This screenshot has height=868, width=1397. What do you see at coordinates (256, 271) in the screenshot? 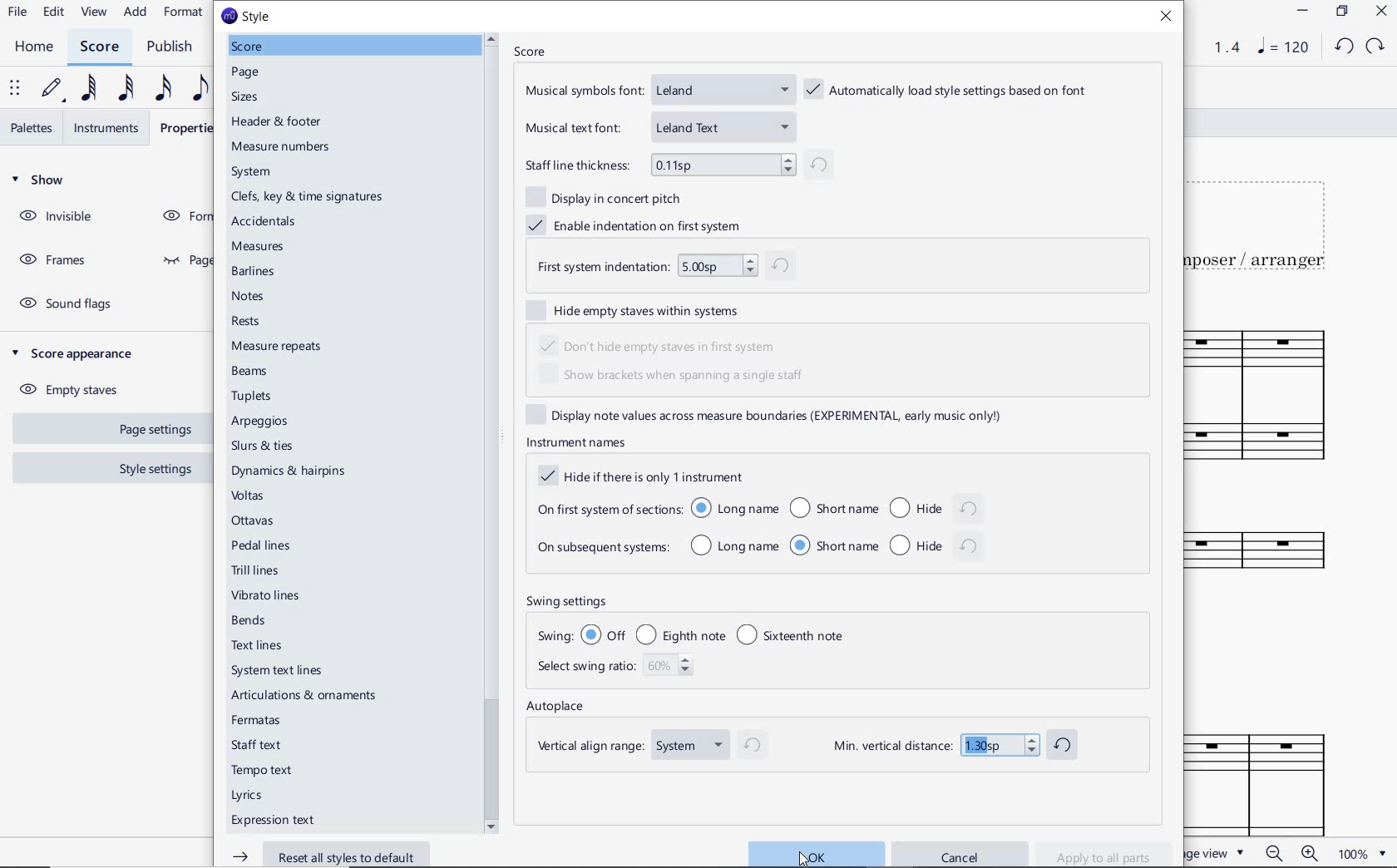
I see `barlines` at bounding box center [256, 271].